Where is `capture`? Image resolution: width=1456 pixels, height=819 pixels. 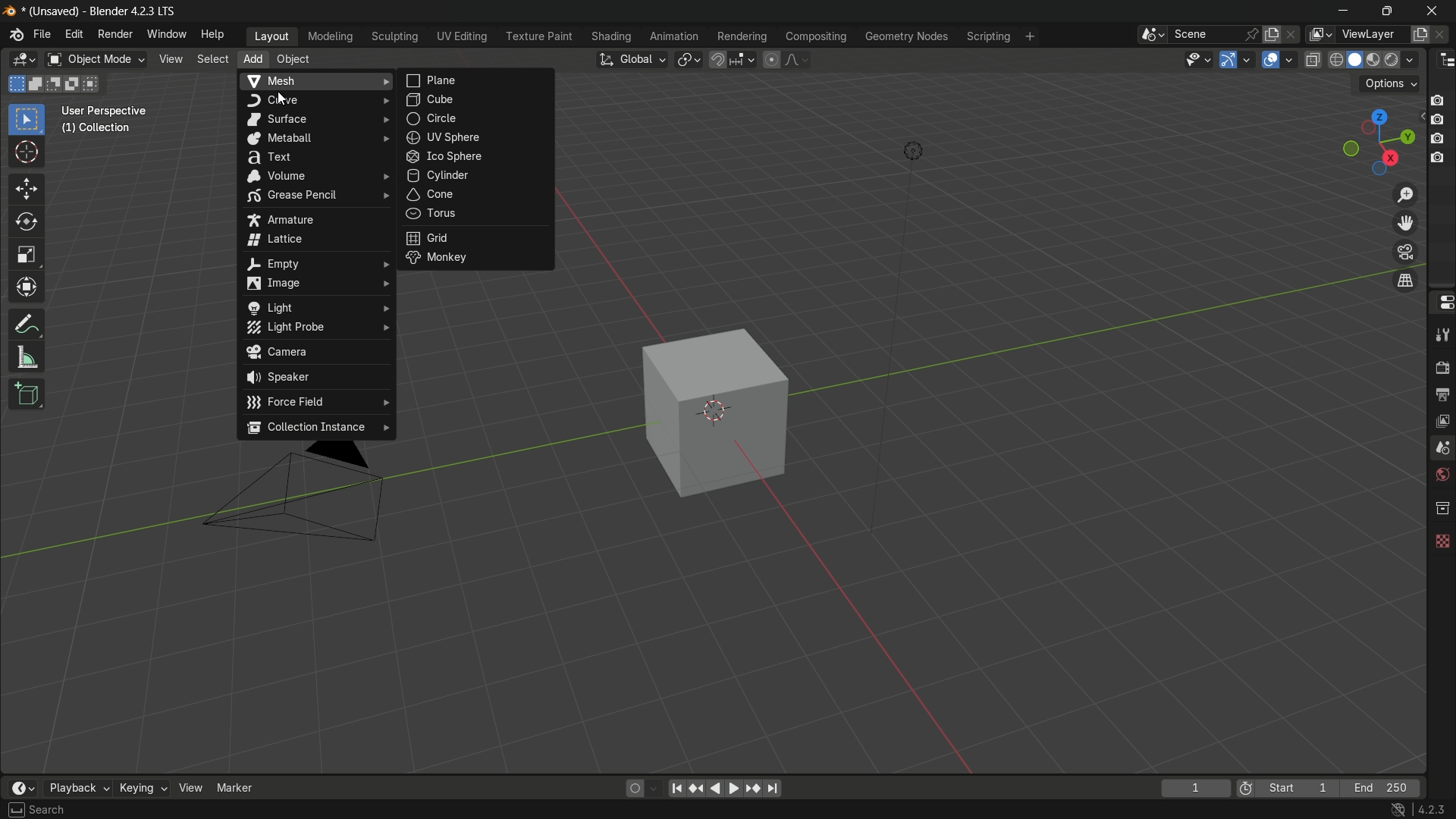 capture is located at coordinates (1436, 158).